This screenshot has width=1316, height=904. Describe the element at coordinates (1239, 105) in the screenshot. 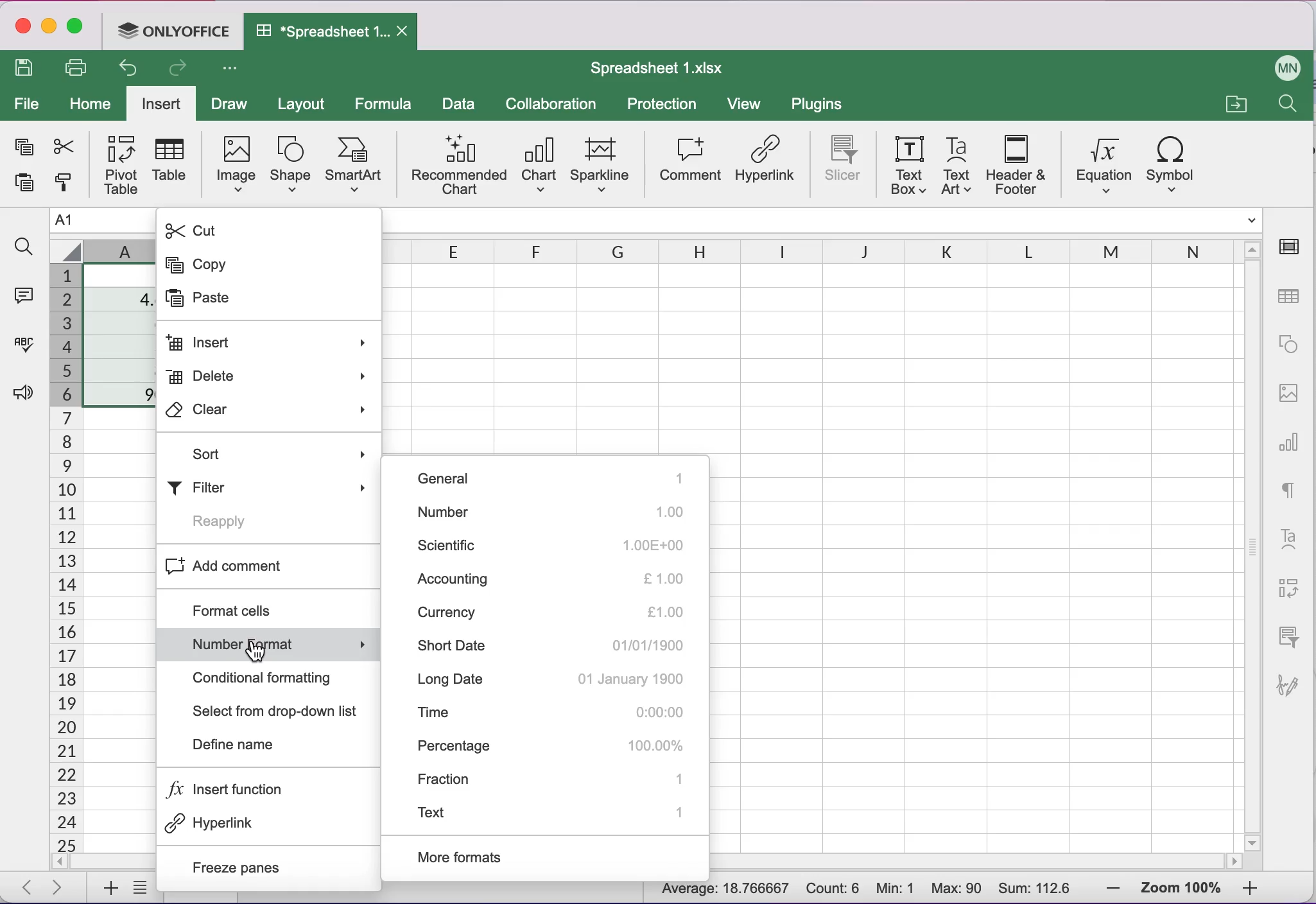

I see `open a file location` at that location.